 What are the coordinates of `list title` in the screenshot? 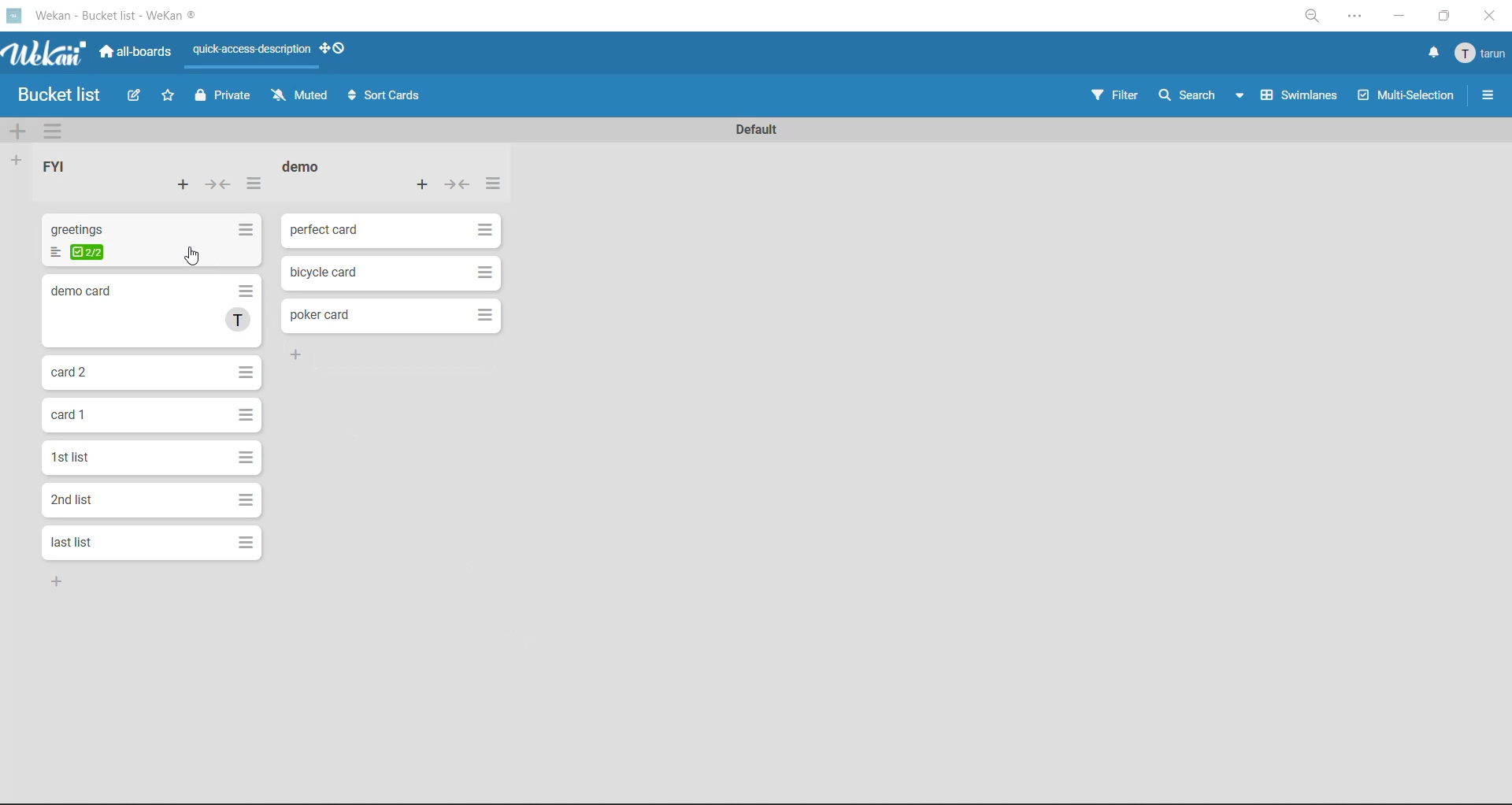 It's located at (303, 168).